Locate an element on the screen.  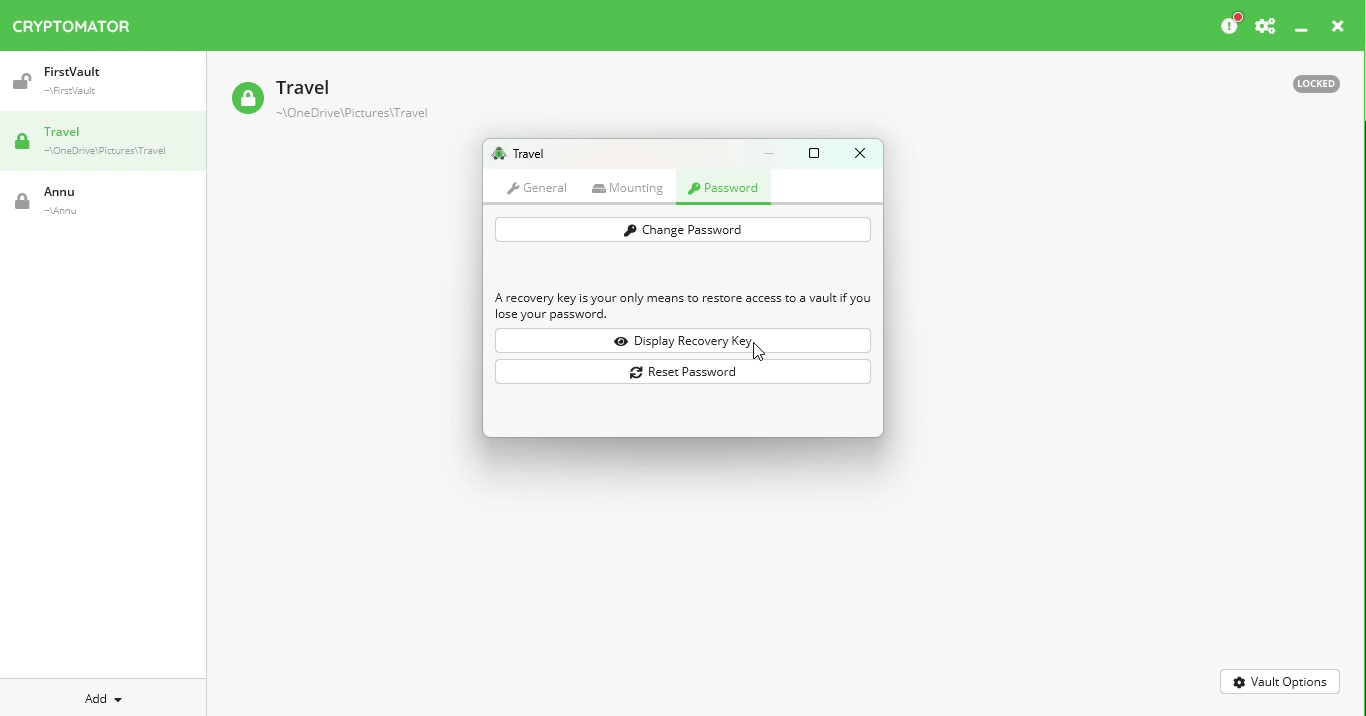
Cursor is located at coordinates (760, 352).